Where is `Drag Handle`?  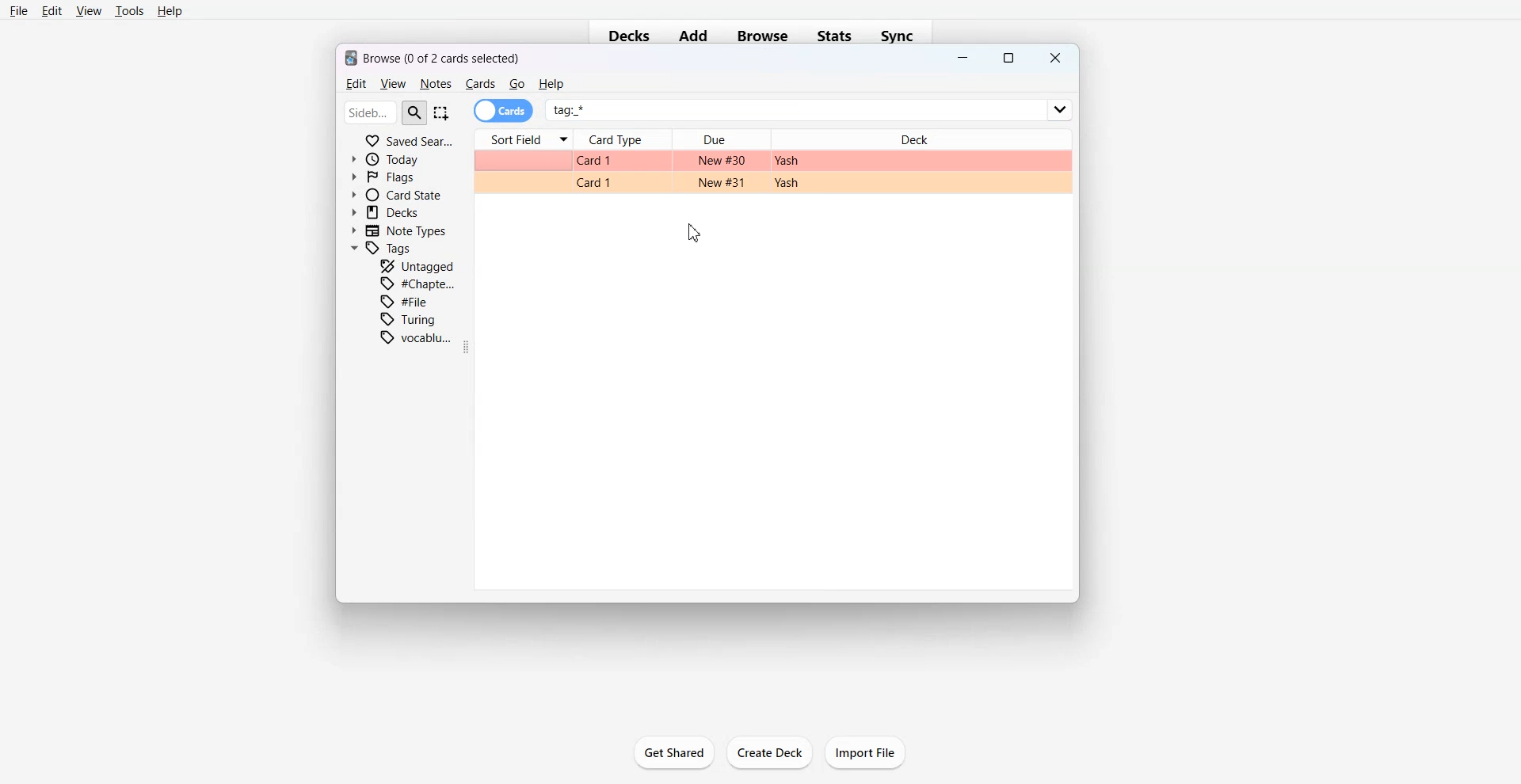 Drag Handle is located at coordinates (469, 347).